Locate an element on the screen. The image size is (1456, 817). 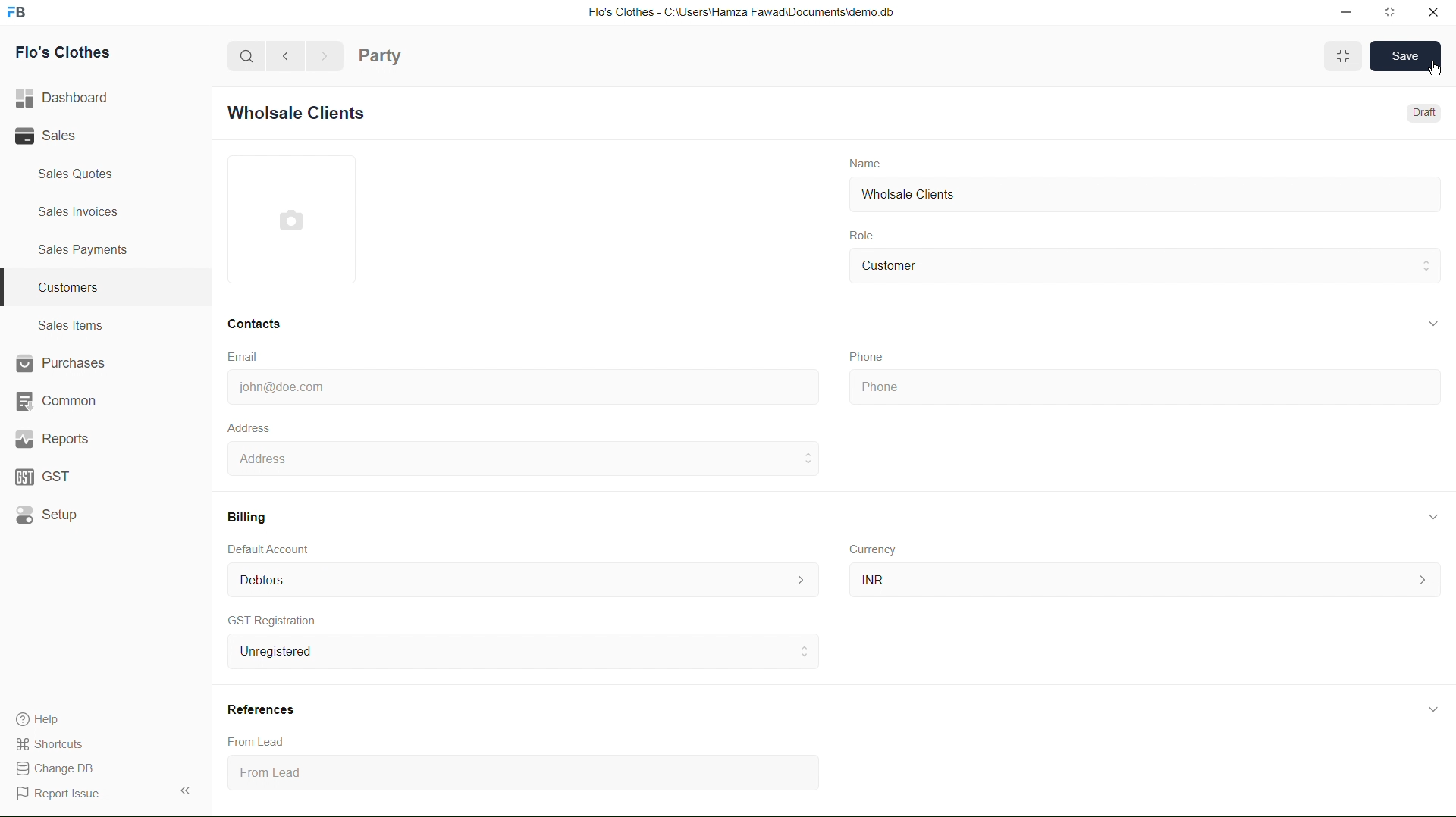
From Lead is located at coordinates (372, 775).